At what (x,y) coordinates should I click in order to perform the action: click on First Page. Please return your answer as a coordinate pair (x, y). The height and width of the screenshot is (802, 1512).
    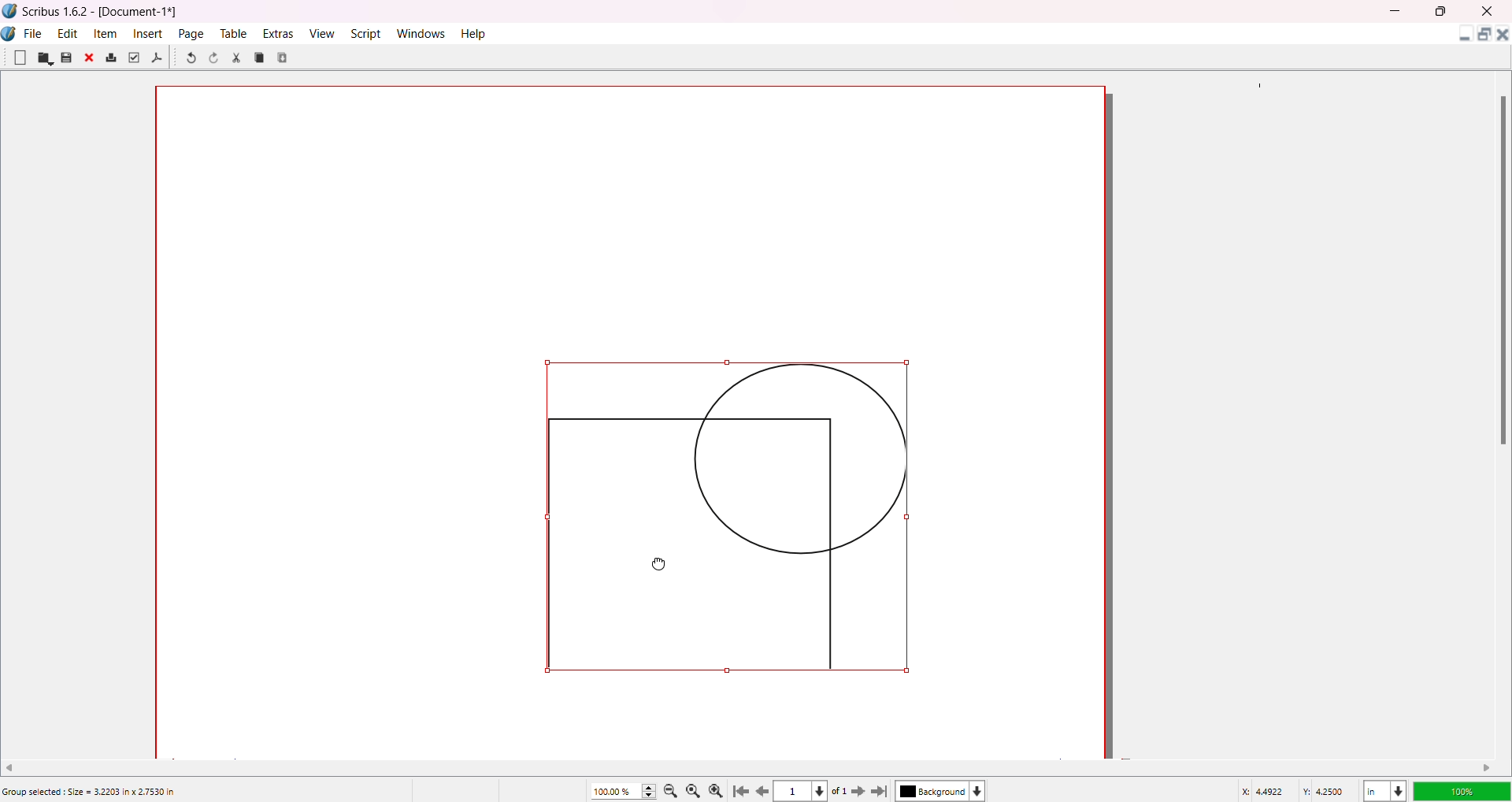
    Looking at the image, I should click on (743, 789).